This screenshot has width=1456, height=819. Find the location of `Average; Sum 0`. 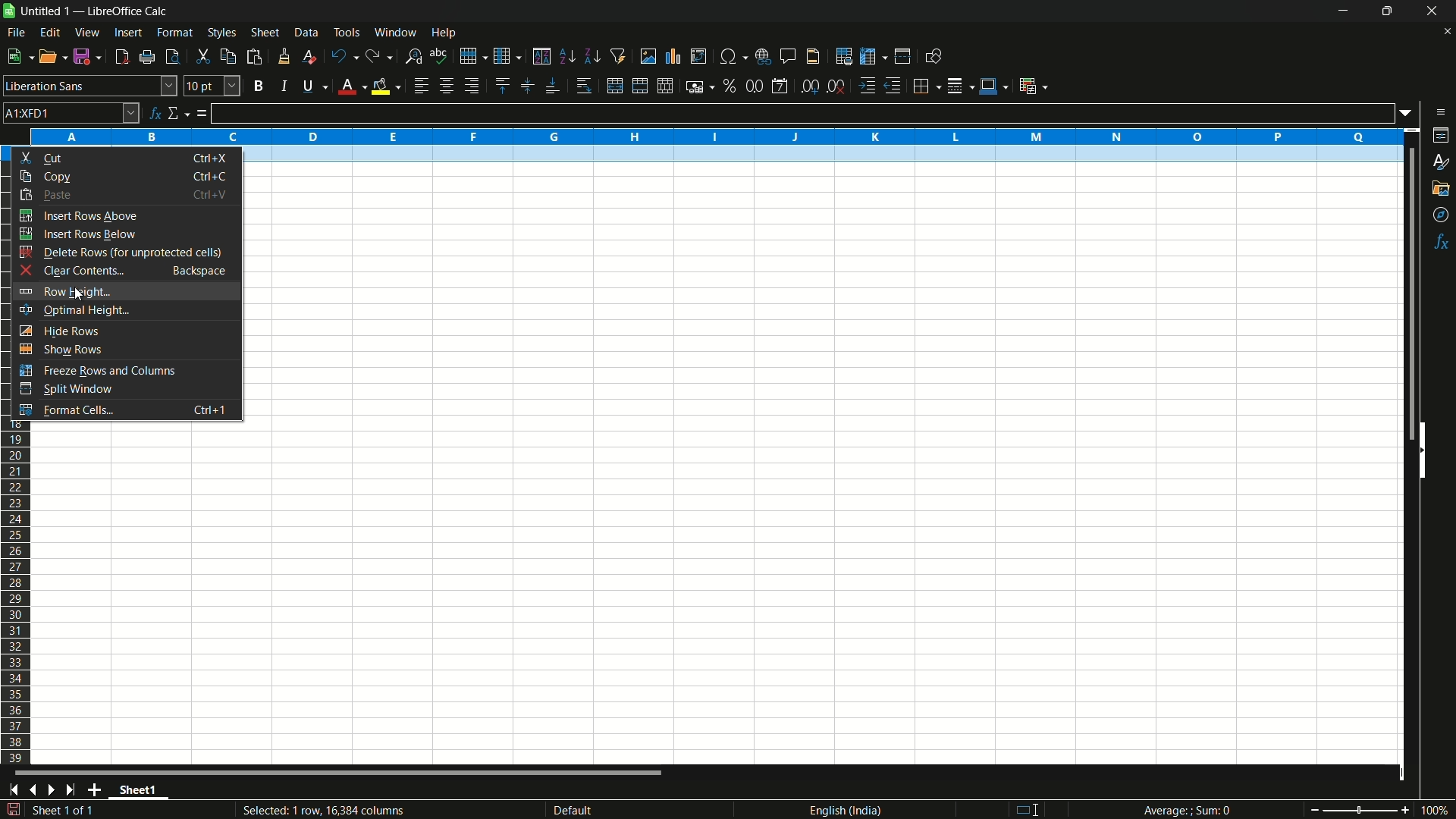

Average; Sum 0 is located at coordinates (1188, 811).